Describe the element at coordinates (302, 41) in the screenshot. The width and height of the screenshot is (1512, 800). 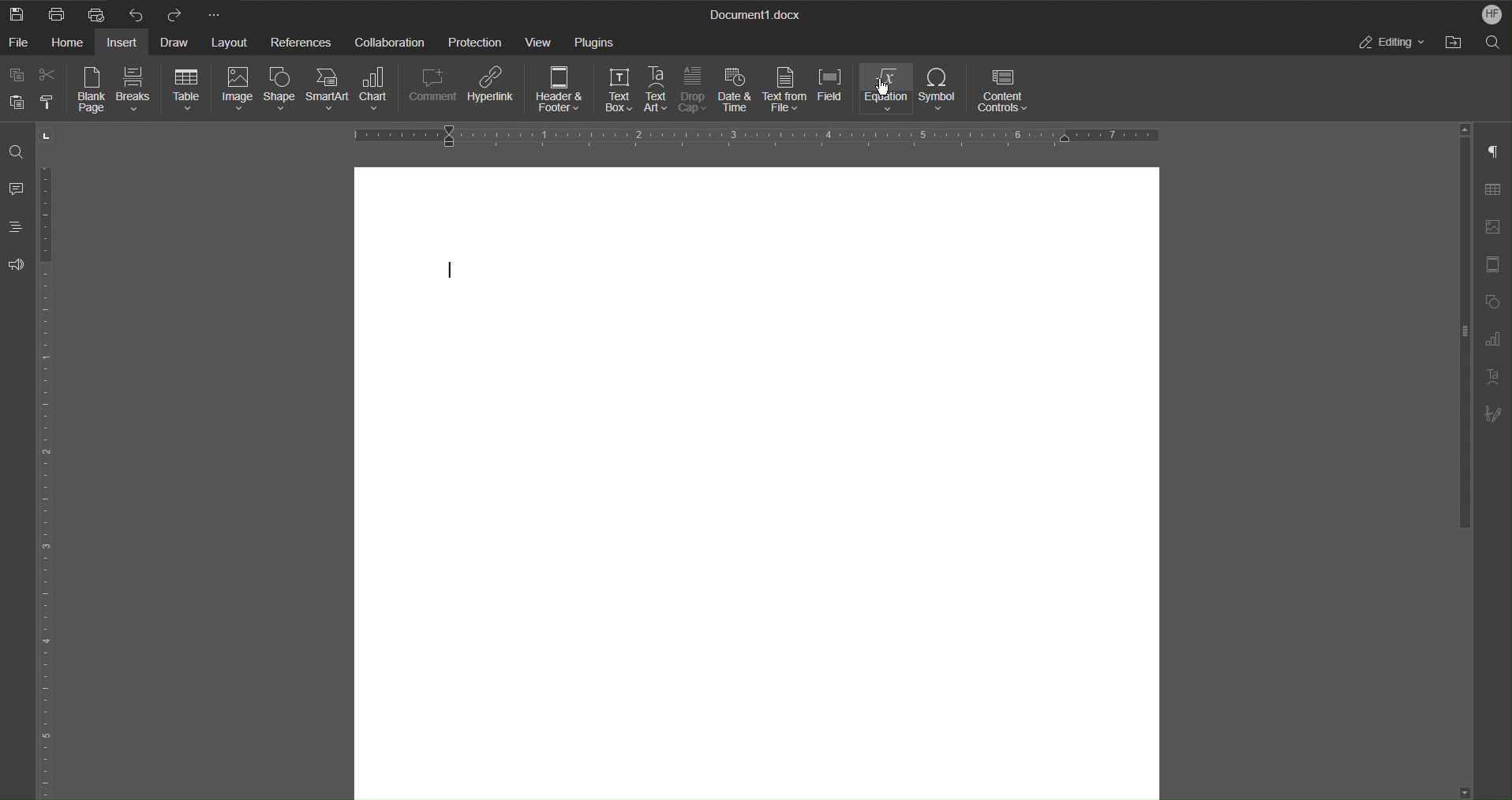
I see `References` at that location.